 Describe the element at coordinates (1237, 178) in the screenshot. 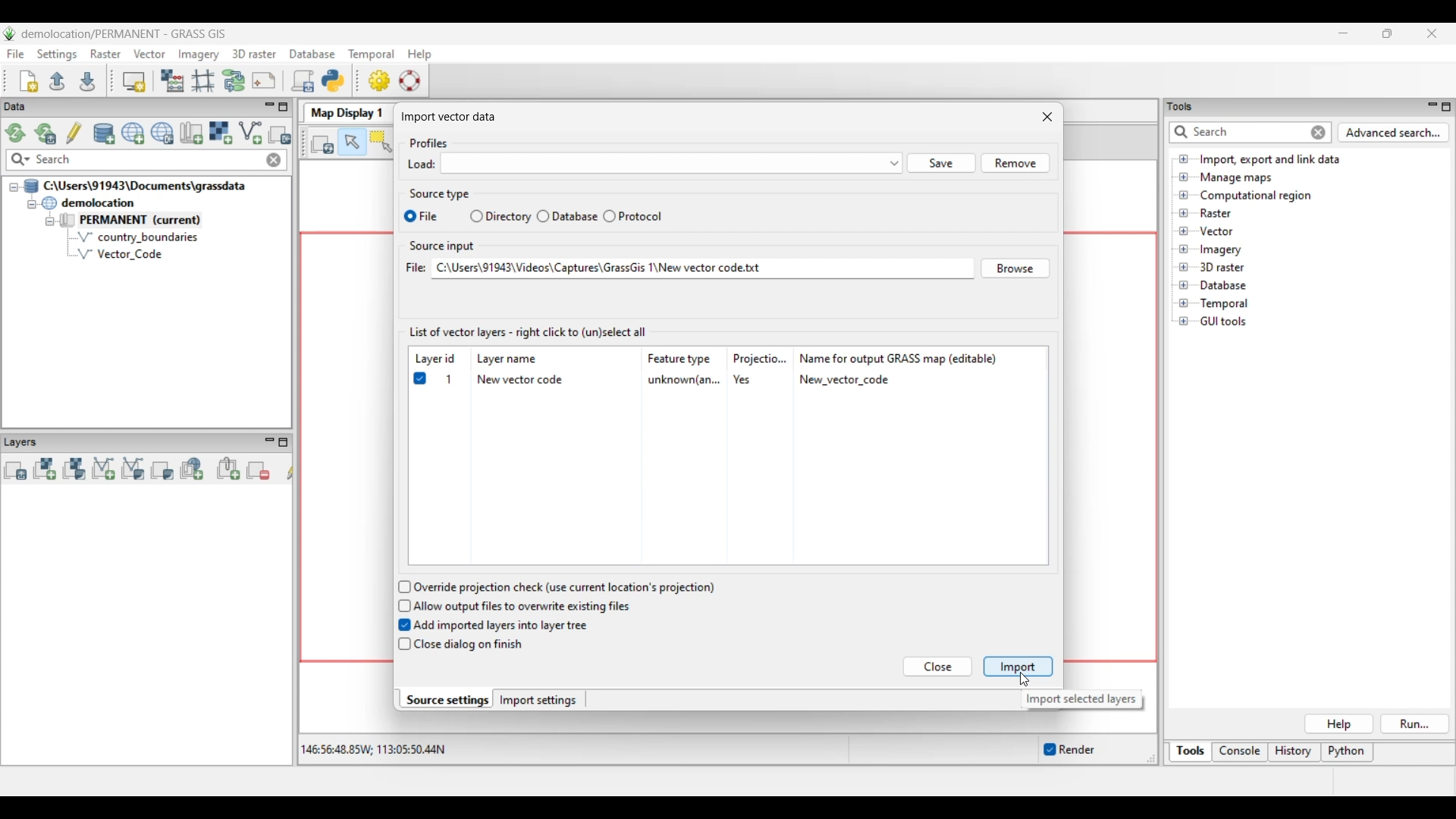

I see `Double click to see files under Manage maps` at that location.